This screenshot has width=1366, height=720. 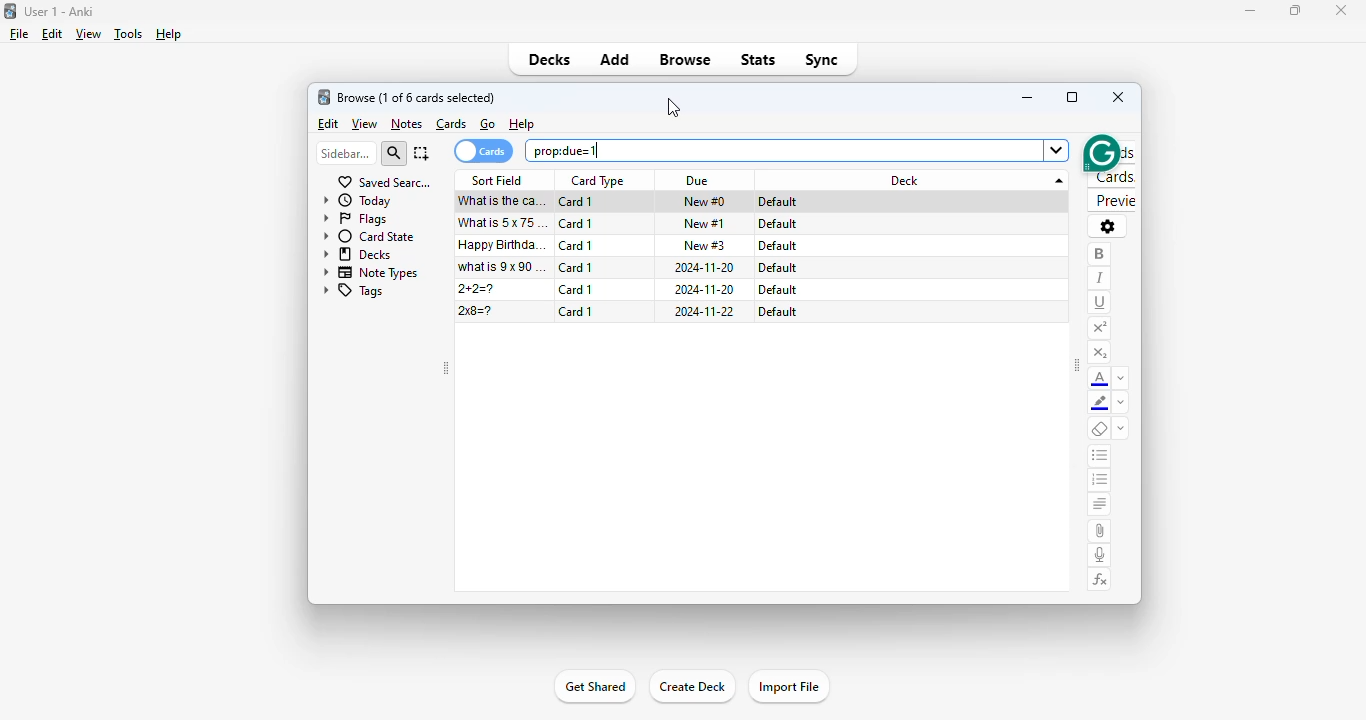 What do you see at coordinates (1122, 377) in the screenshot?
I see `change color` at bounding box center [1122, 377].